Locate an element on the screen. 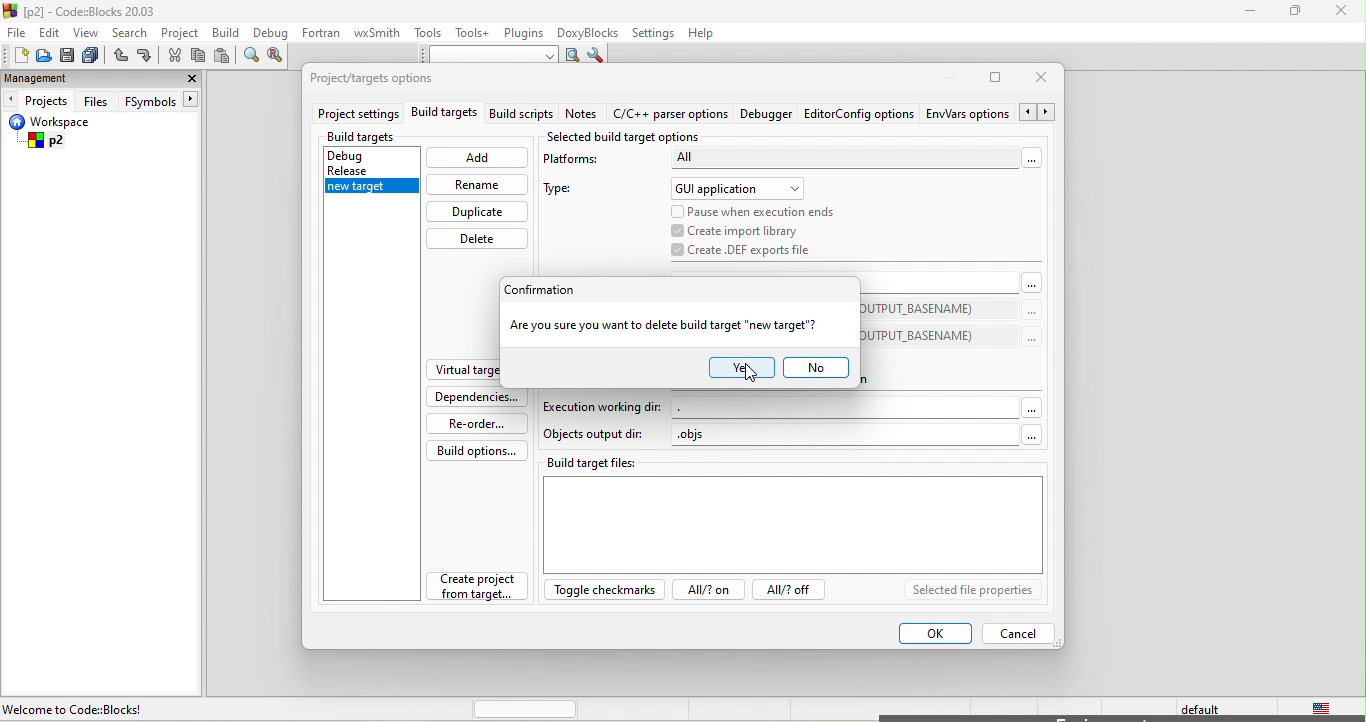 Image resolution: width=1366 pixels, height=722 pixels. confirmation is located at coordinates (551, 290).